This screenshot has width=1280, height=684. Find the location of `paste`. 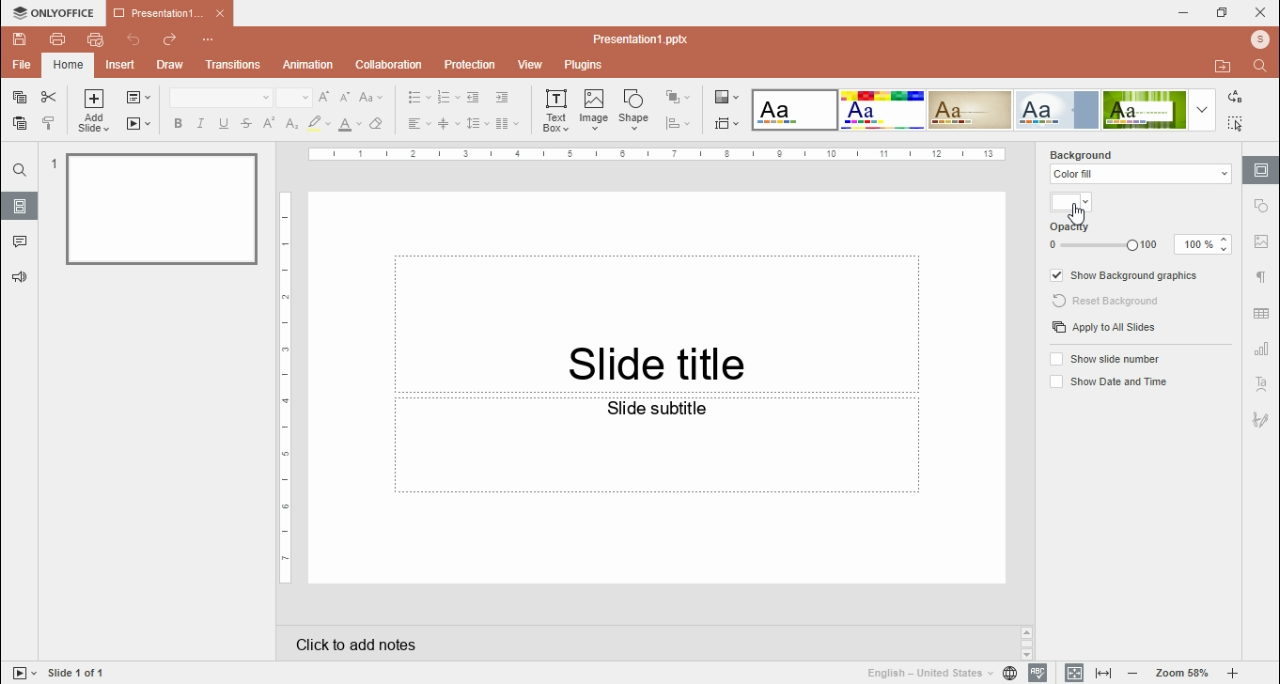

paste is located at coordinates (19, 123).